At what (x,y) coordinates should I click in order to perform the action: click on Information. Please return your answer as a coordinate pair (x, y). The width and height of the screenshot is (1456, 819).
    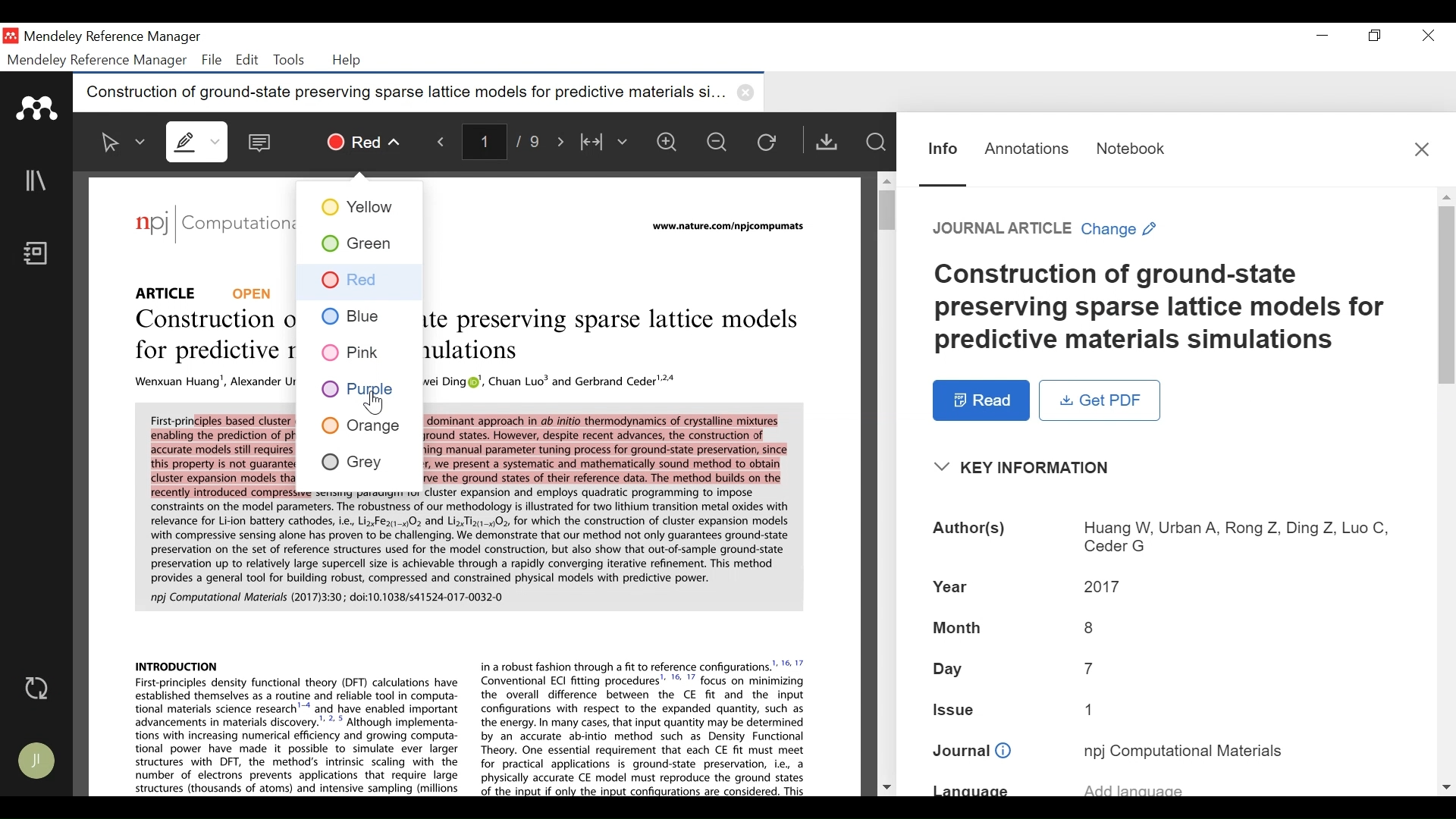
    Looking at the image, I should click on (945, 158).